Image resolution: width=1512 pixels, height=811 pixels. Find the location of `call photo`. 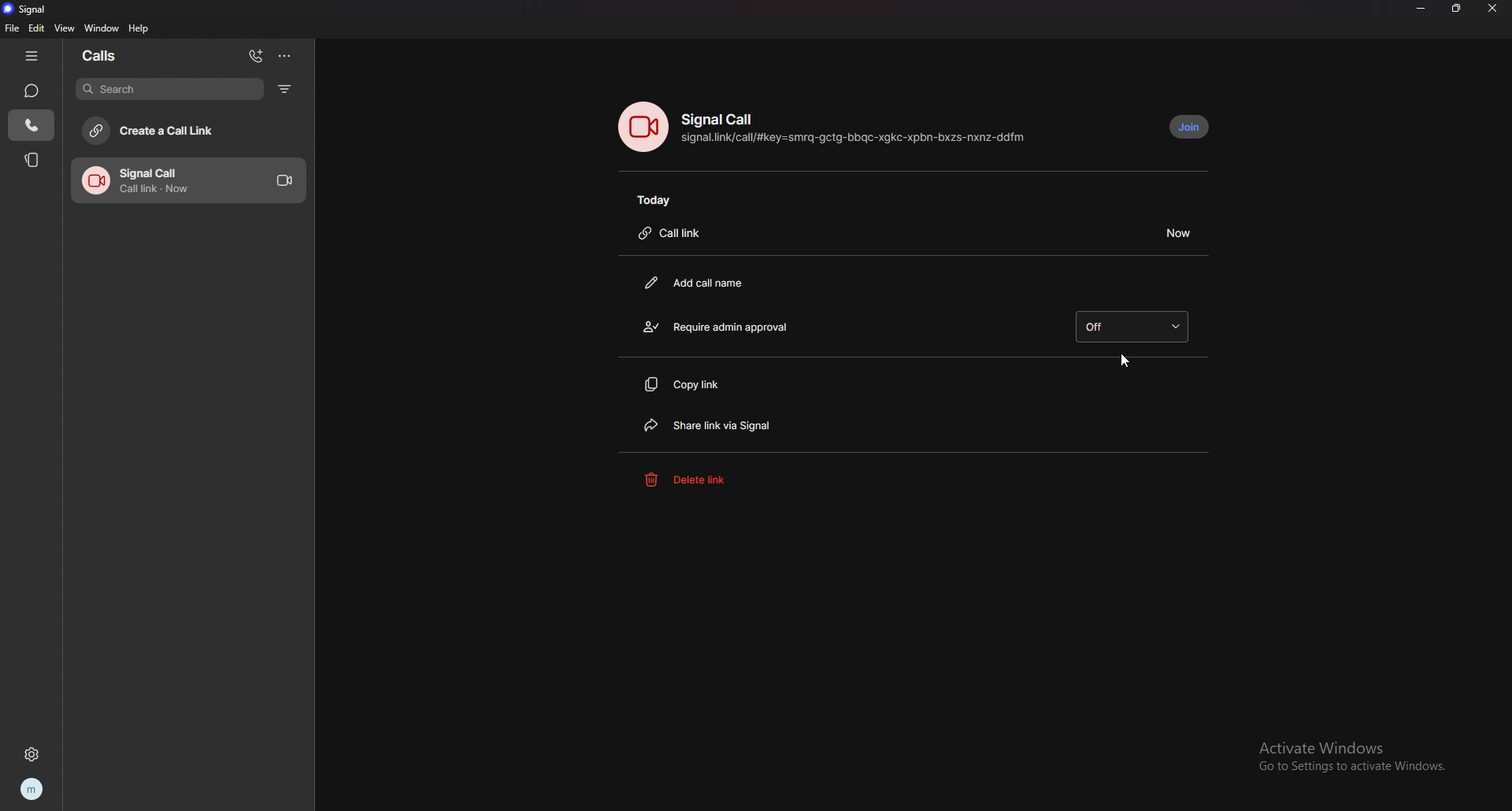

call photo is located at coordinates (645, 126).